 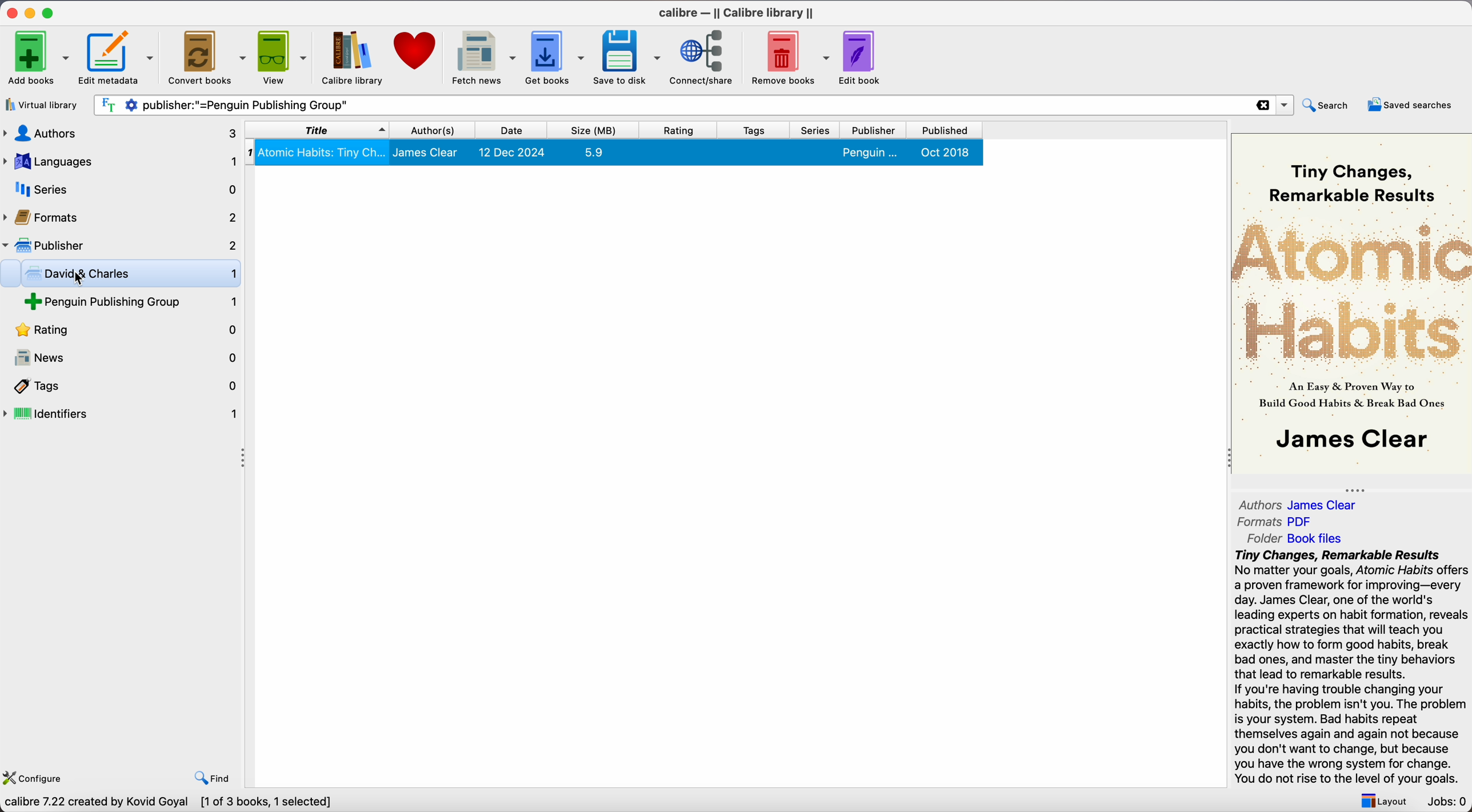 What do you see at coordinates (758, 130) in the screenshot?
I see `tags` at bounding box center [758, 130].